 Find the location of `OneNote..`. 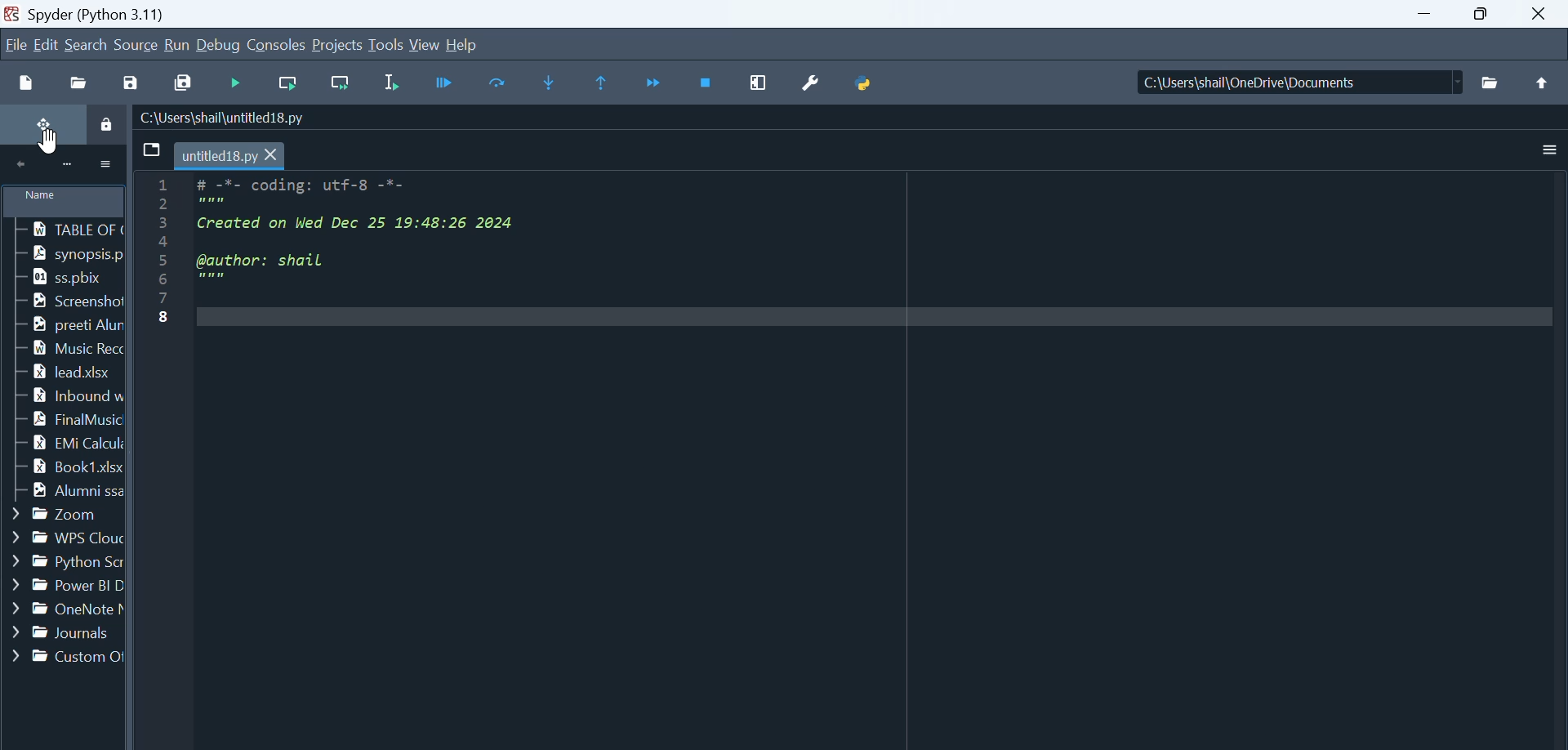

OneNote.. is located at coordinates (62, 612).